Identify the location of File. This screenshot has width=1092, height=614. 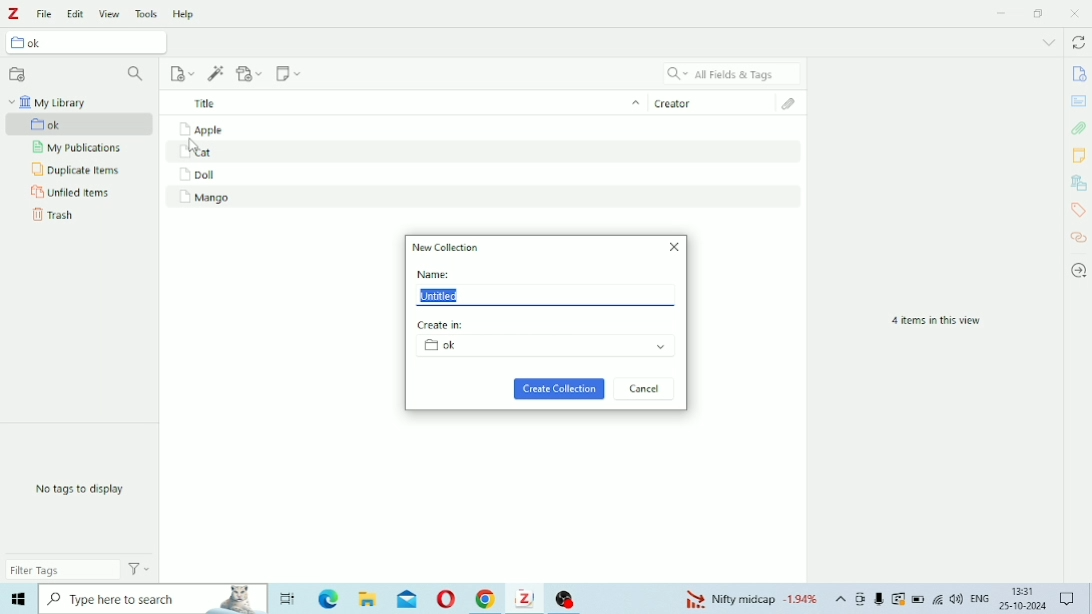
(45, 14).